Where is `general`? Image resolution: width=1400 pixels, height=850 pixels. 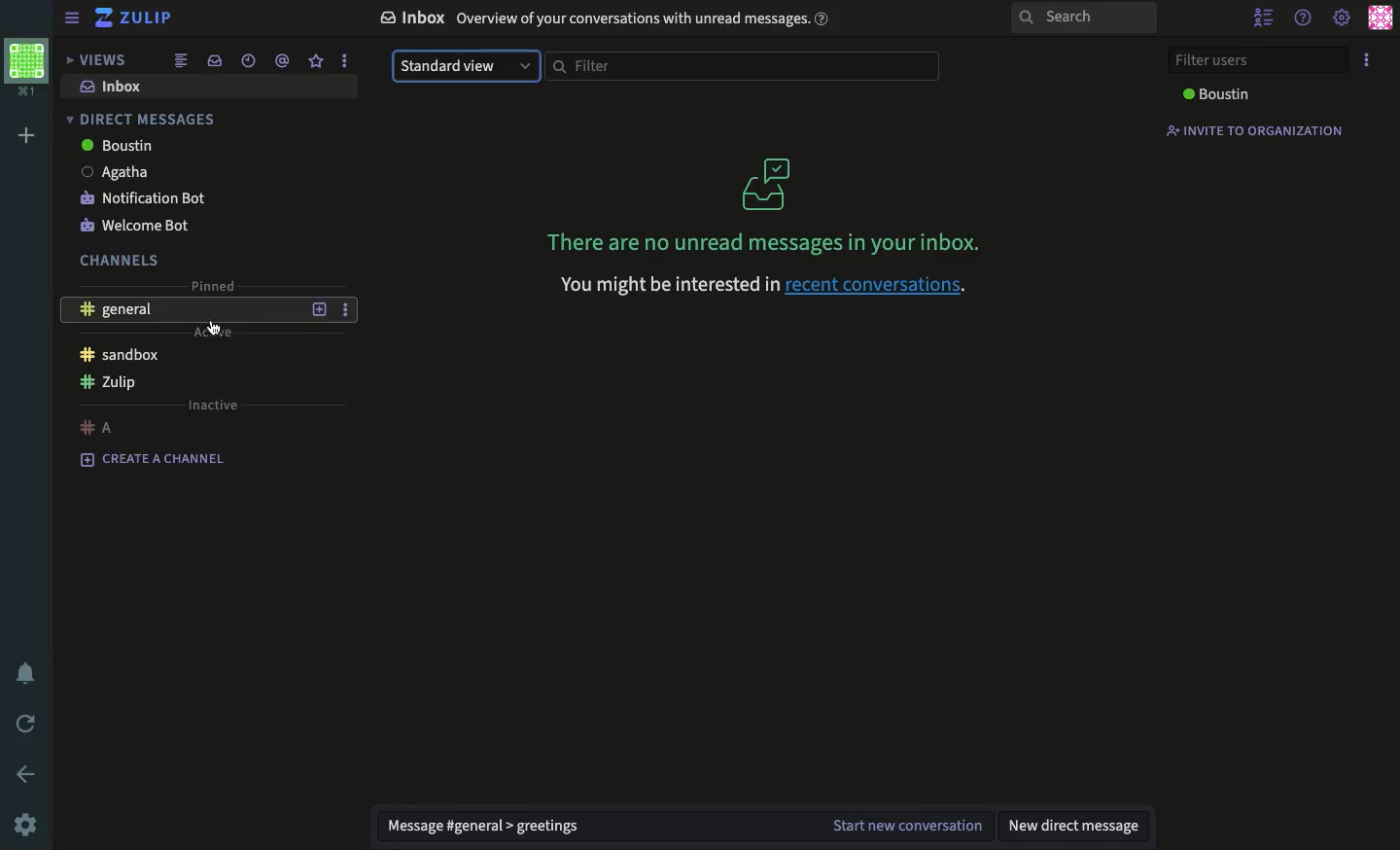 general is located at coordinates (121, 308).